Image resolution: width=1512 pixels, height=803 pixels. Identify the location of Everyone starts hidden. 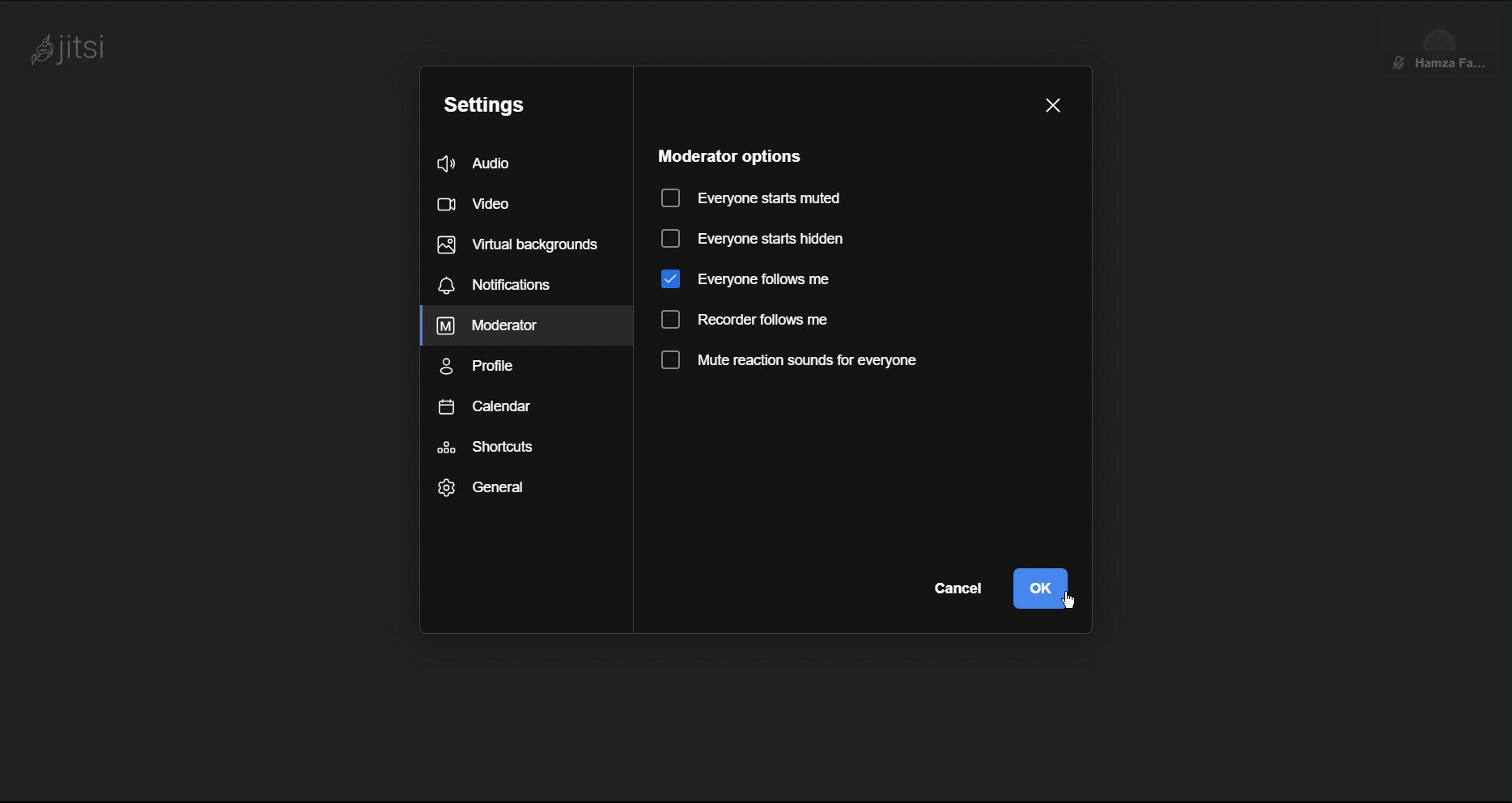
(753, 240).